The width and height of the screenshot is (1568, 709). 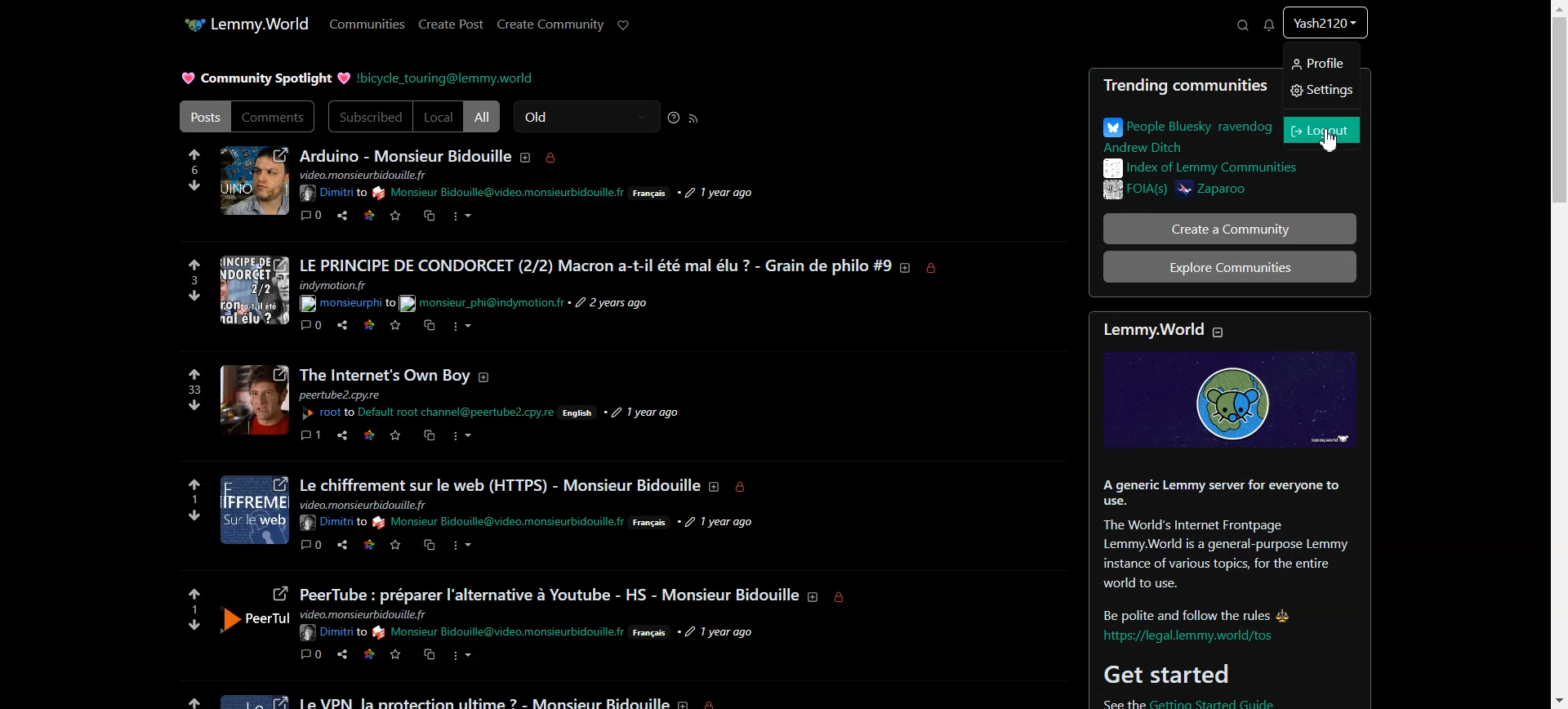 I want to click on share, so click(x=343, y=436).